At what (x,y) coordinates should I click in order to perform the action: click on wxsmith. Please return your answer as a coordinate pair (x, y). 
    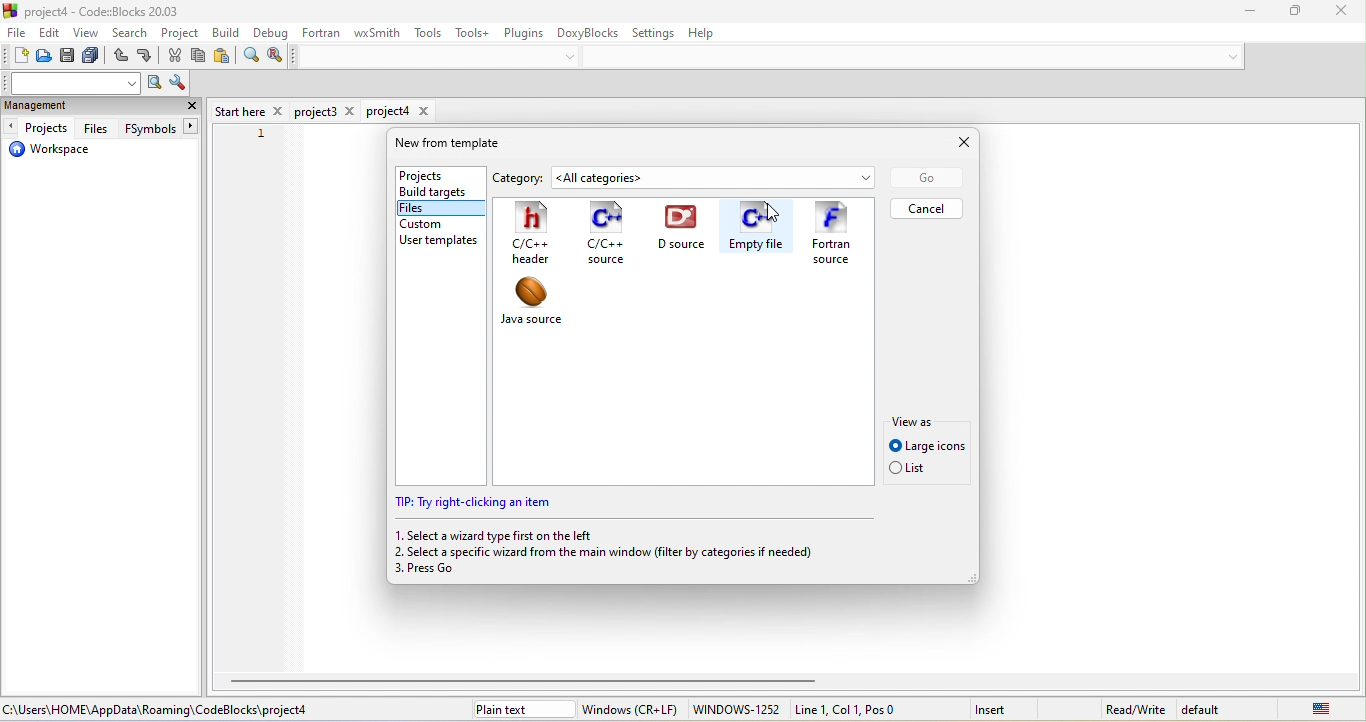
    Looking at the image, I should click on (374, 34).